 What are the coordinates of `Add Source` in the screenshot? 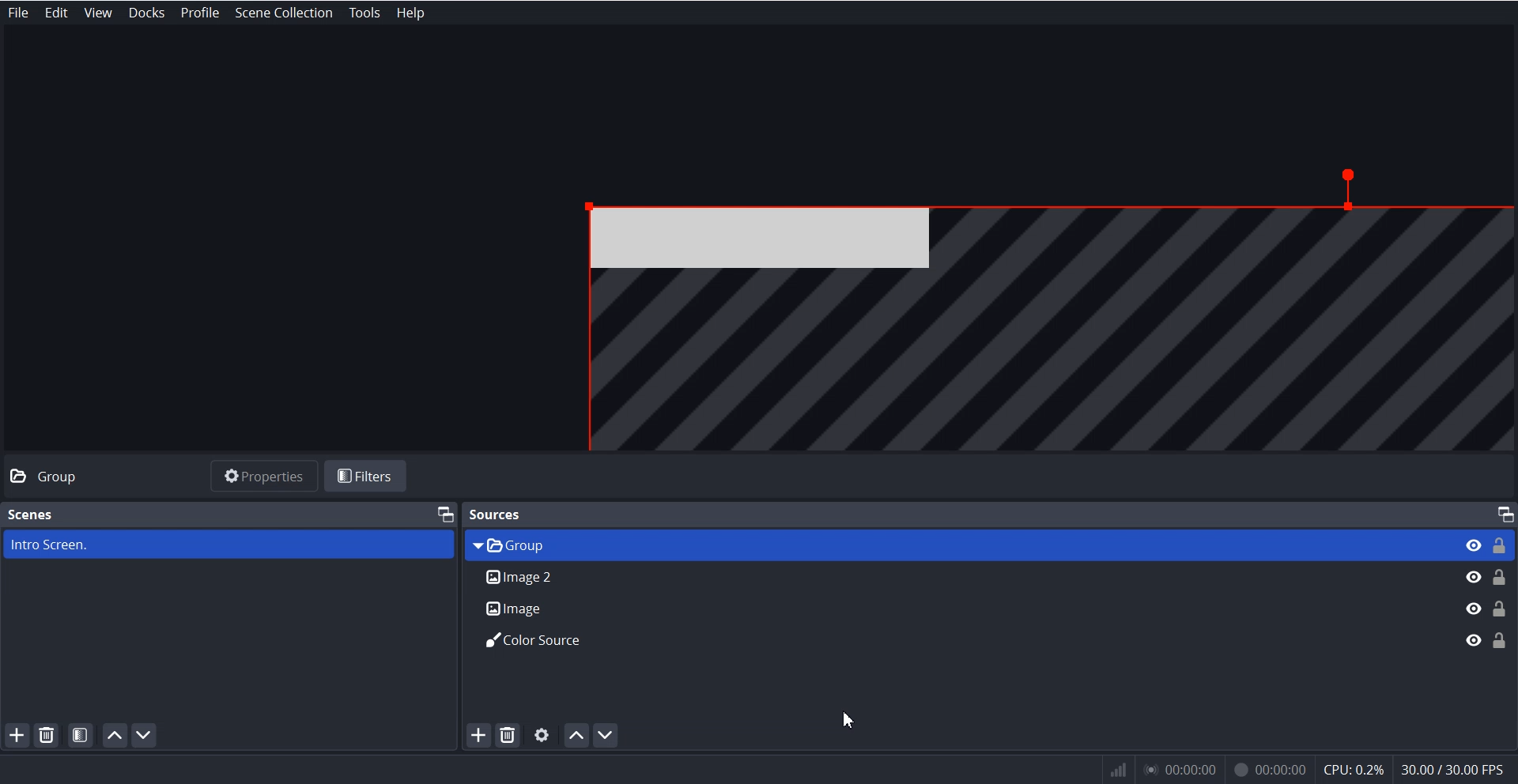 It's located at (478, 735).